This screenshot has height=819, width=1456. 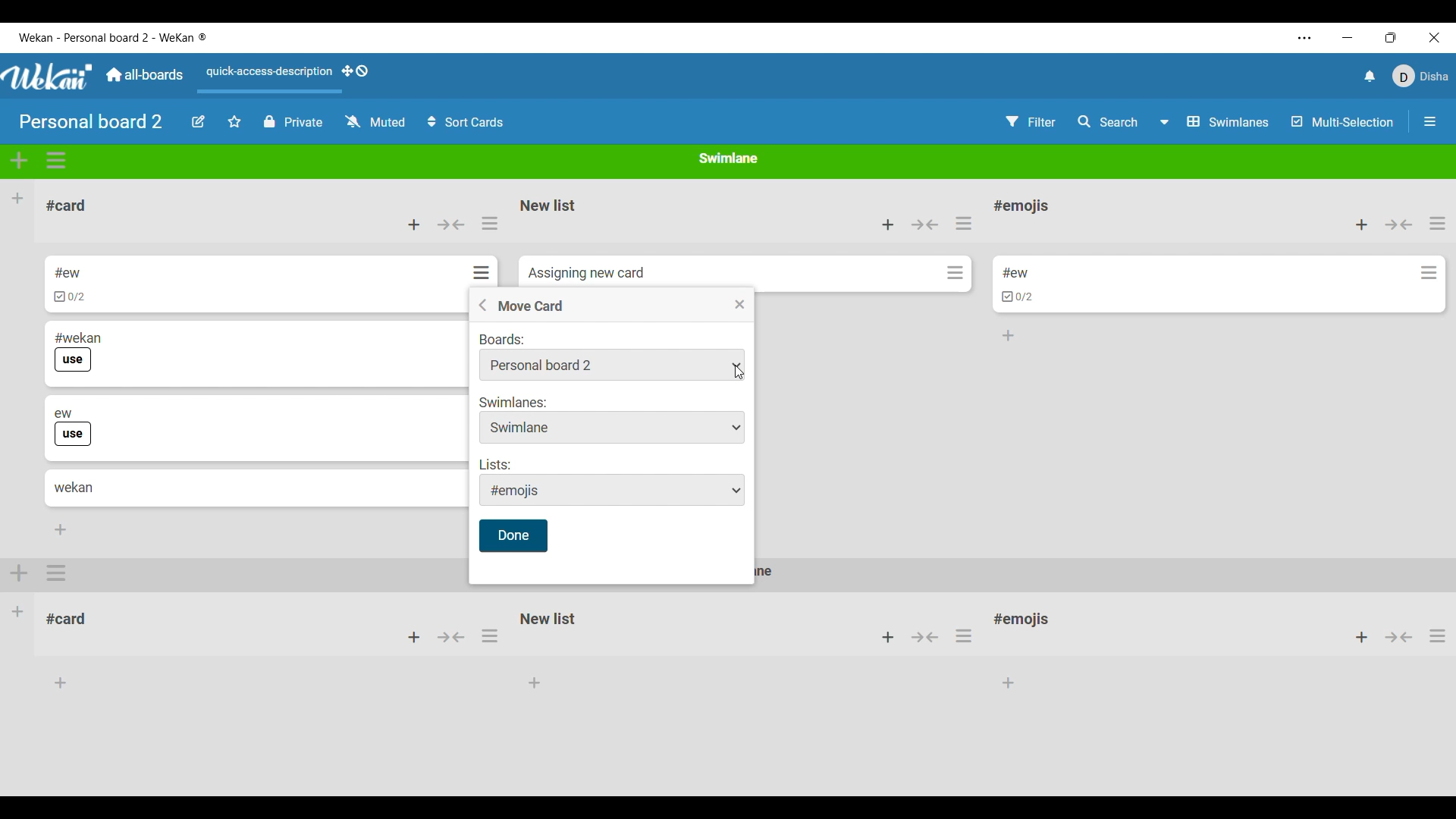 What do you see at coordinates (1348, 38) in the screenshot?
I see `Minimize` at bounding box center [1348, 38].